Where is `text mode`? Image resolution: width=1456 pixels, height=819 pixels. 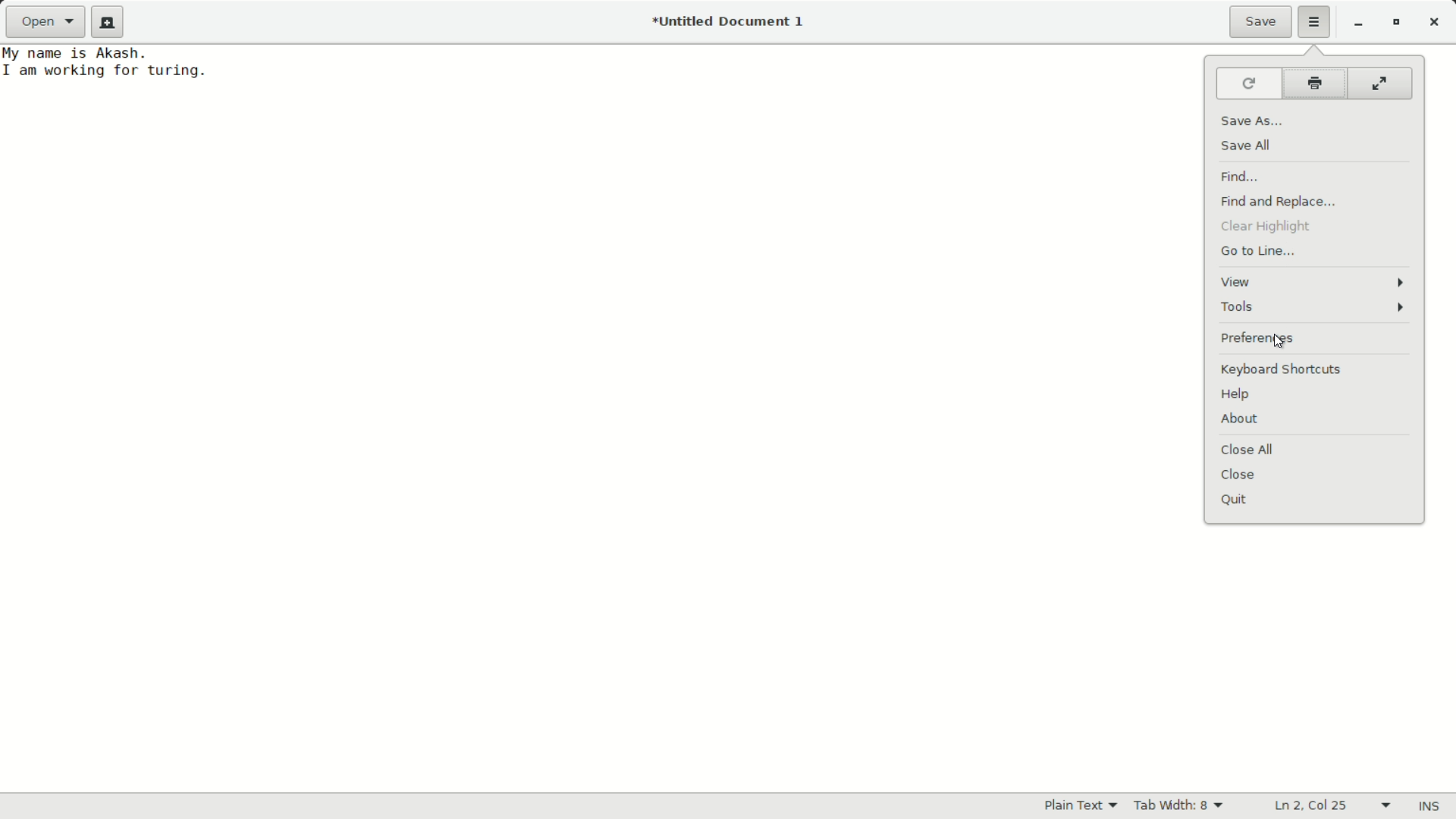 text mode is located at coordinates (1081, 805).